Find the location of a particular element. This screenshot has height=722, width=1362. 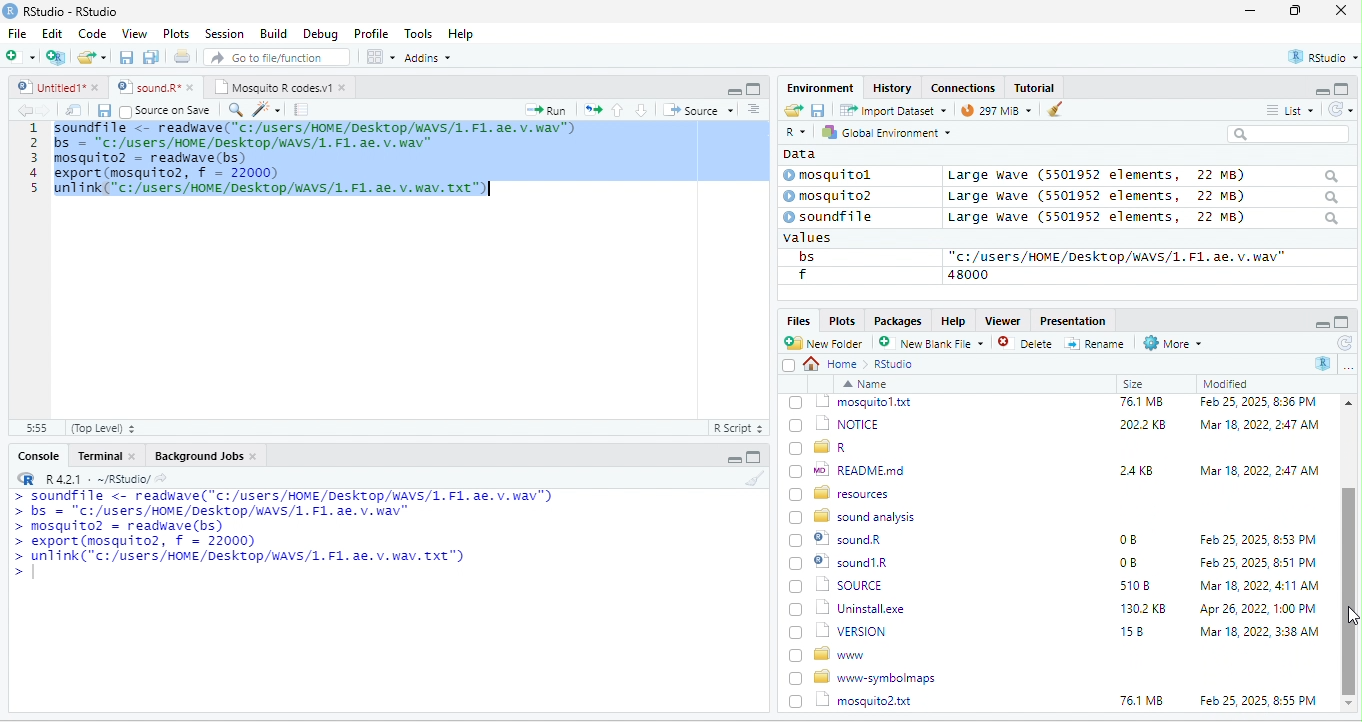

1302 KB is located at coordinates (1145, 704).